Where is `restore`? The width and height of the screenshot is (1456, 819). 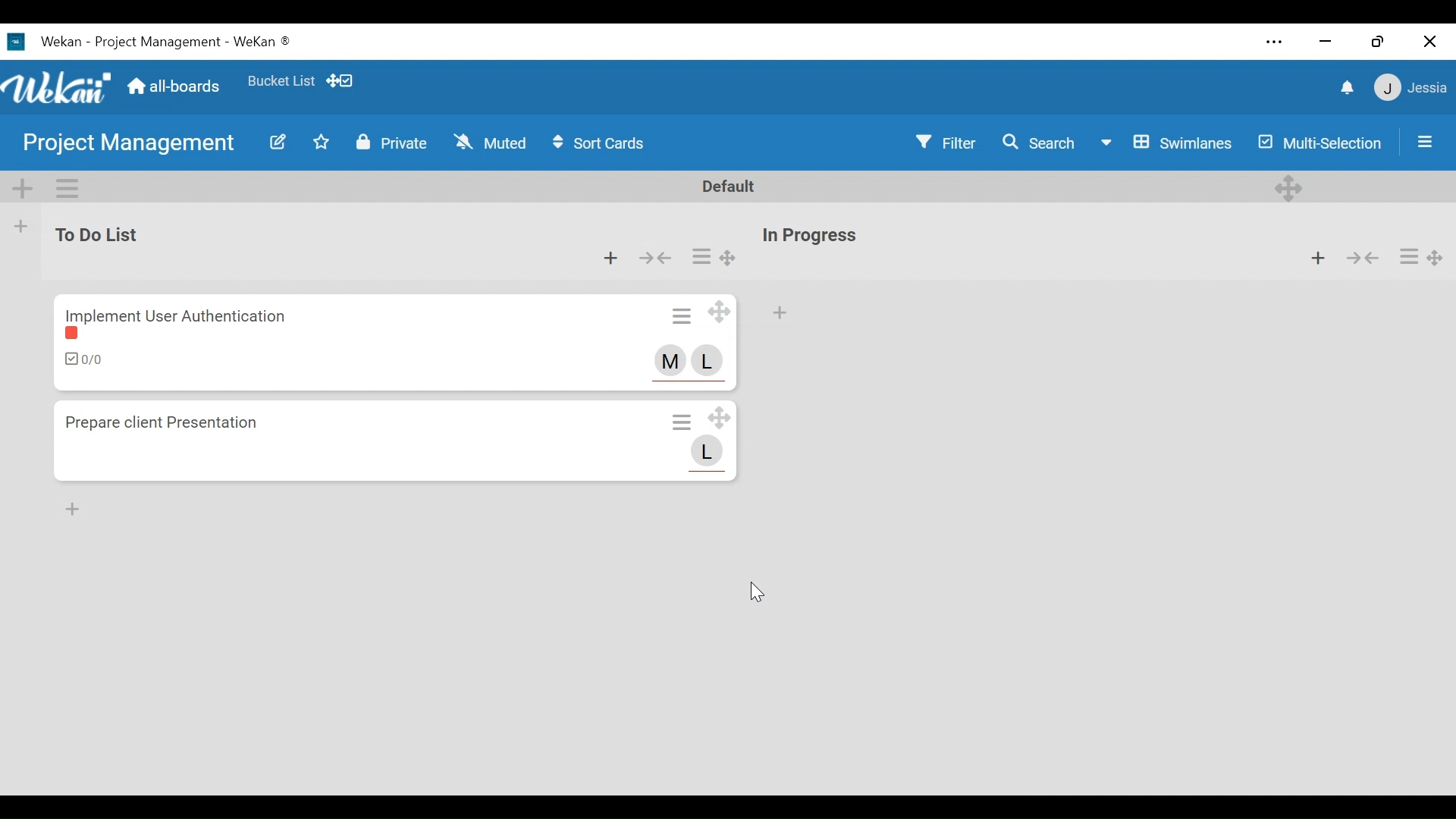 restore is located at coordinates (1376, 42).